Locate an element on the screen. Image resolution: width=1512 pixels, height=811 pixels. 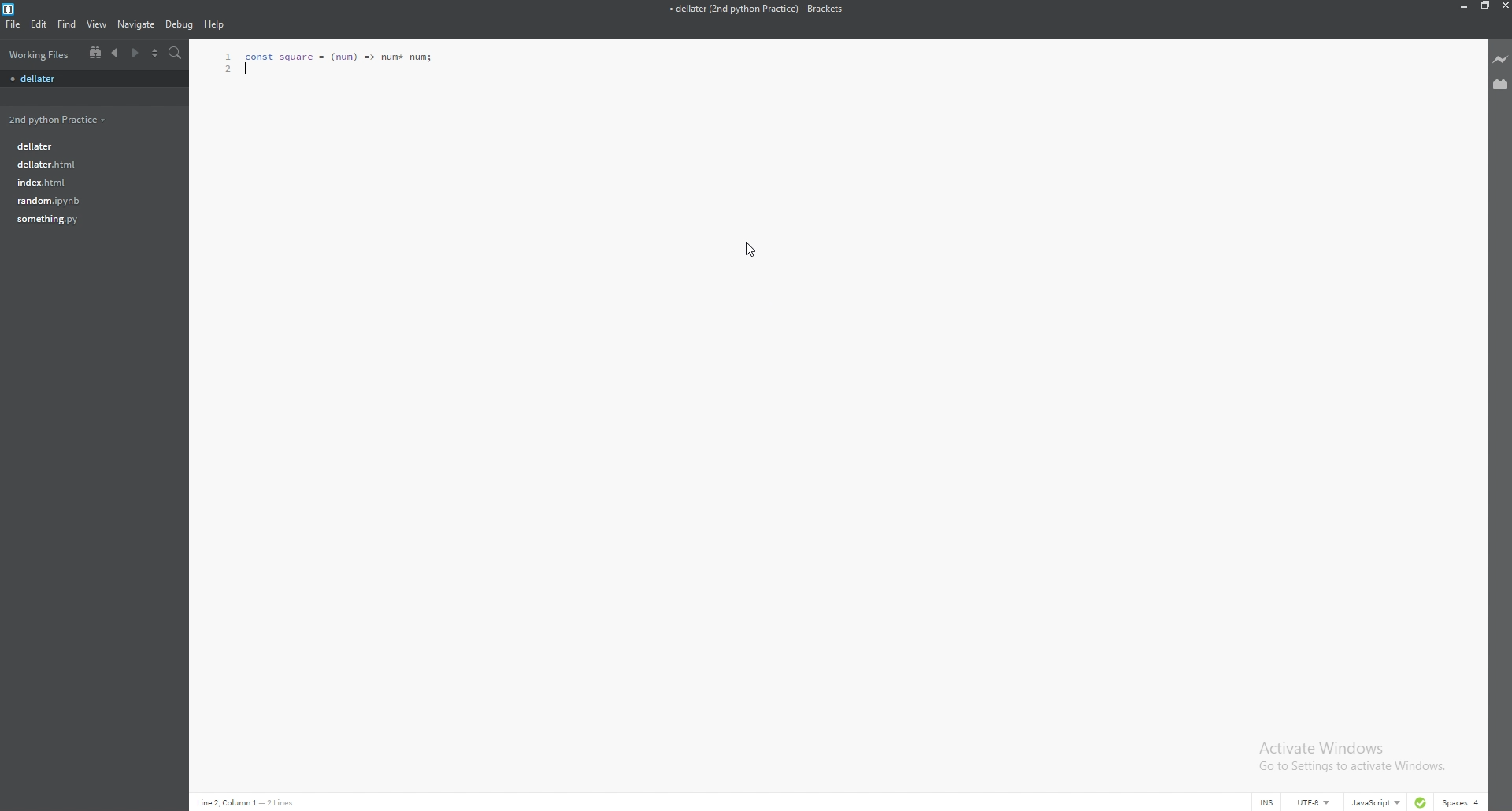
view is located at coordinates (97, 24).